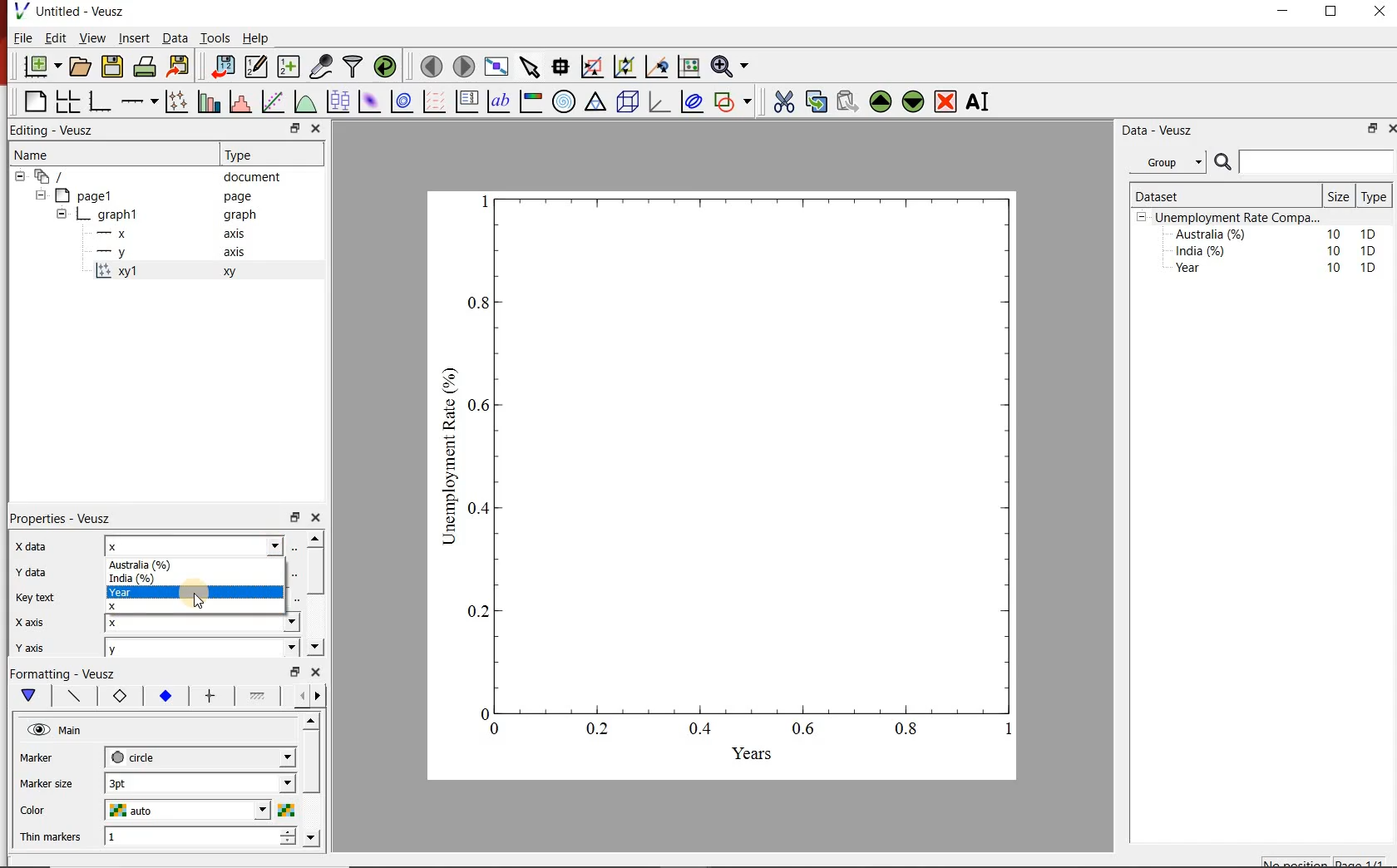  What do you see at coordinates (466, 102) in the screenshot?
I see `plot key` at bounding box center [466, 102].